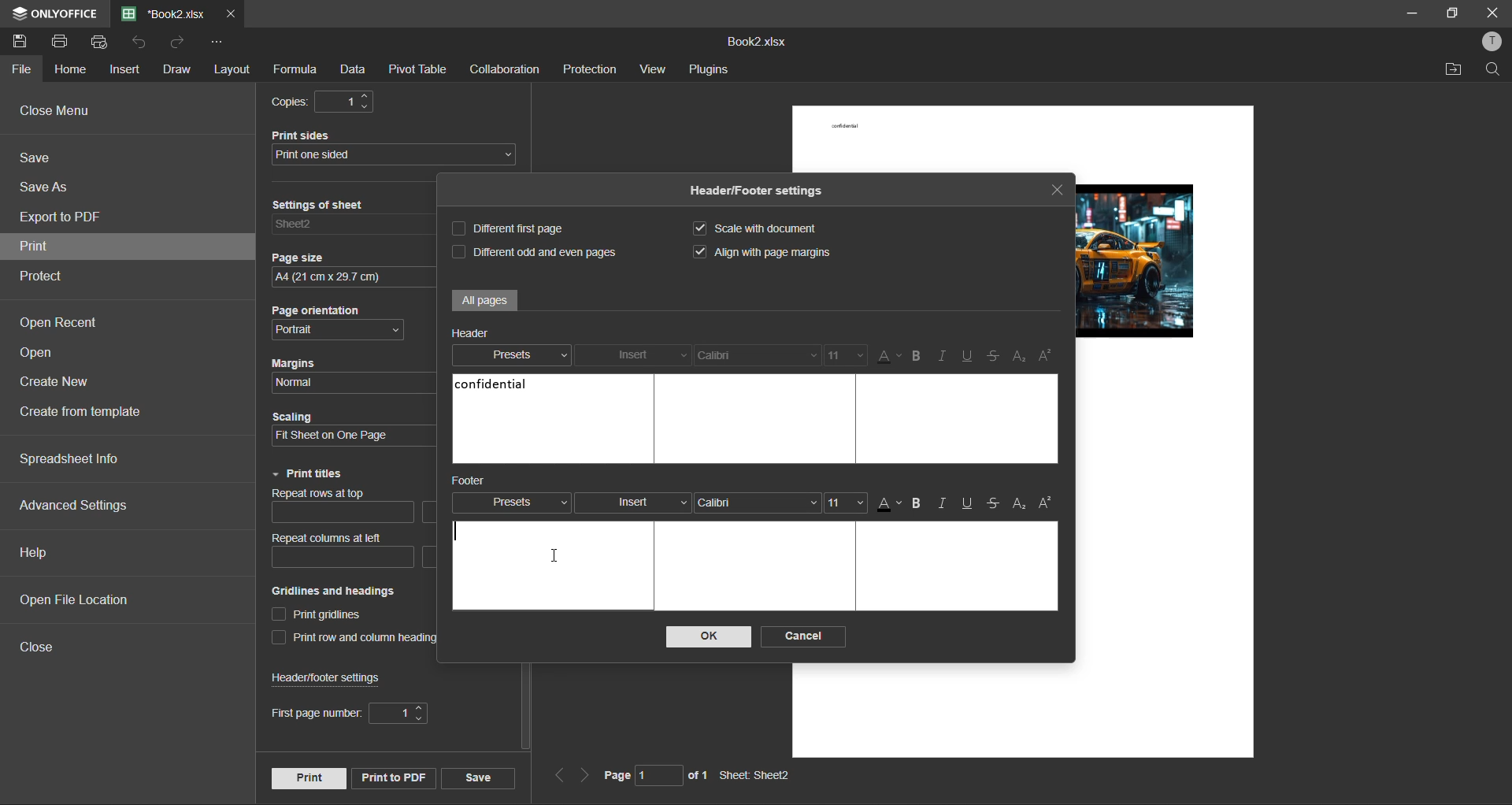  Describe the element at coordinates (943, 504) in the screenshot. I see `italic` at that location.